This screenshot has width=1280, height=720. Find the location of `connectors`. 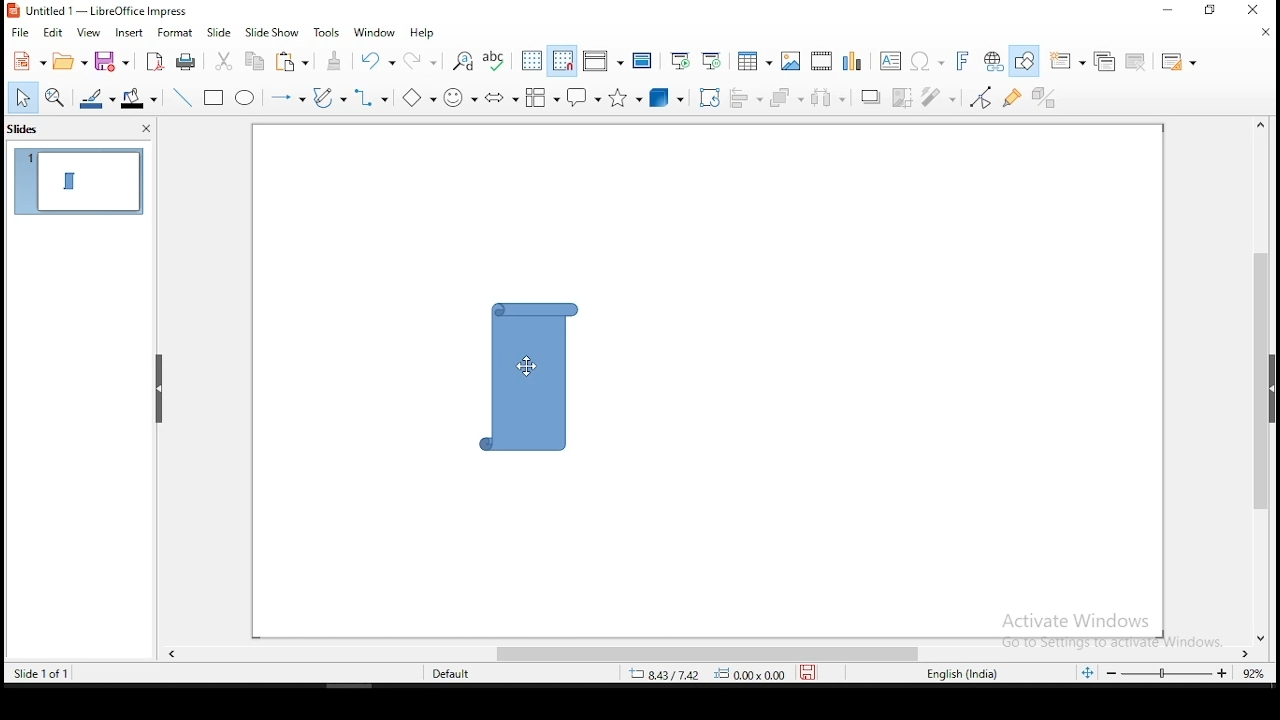

connectors is located at coordinates (375, 97).